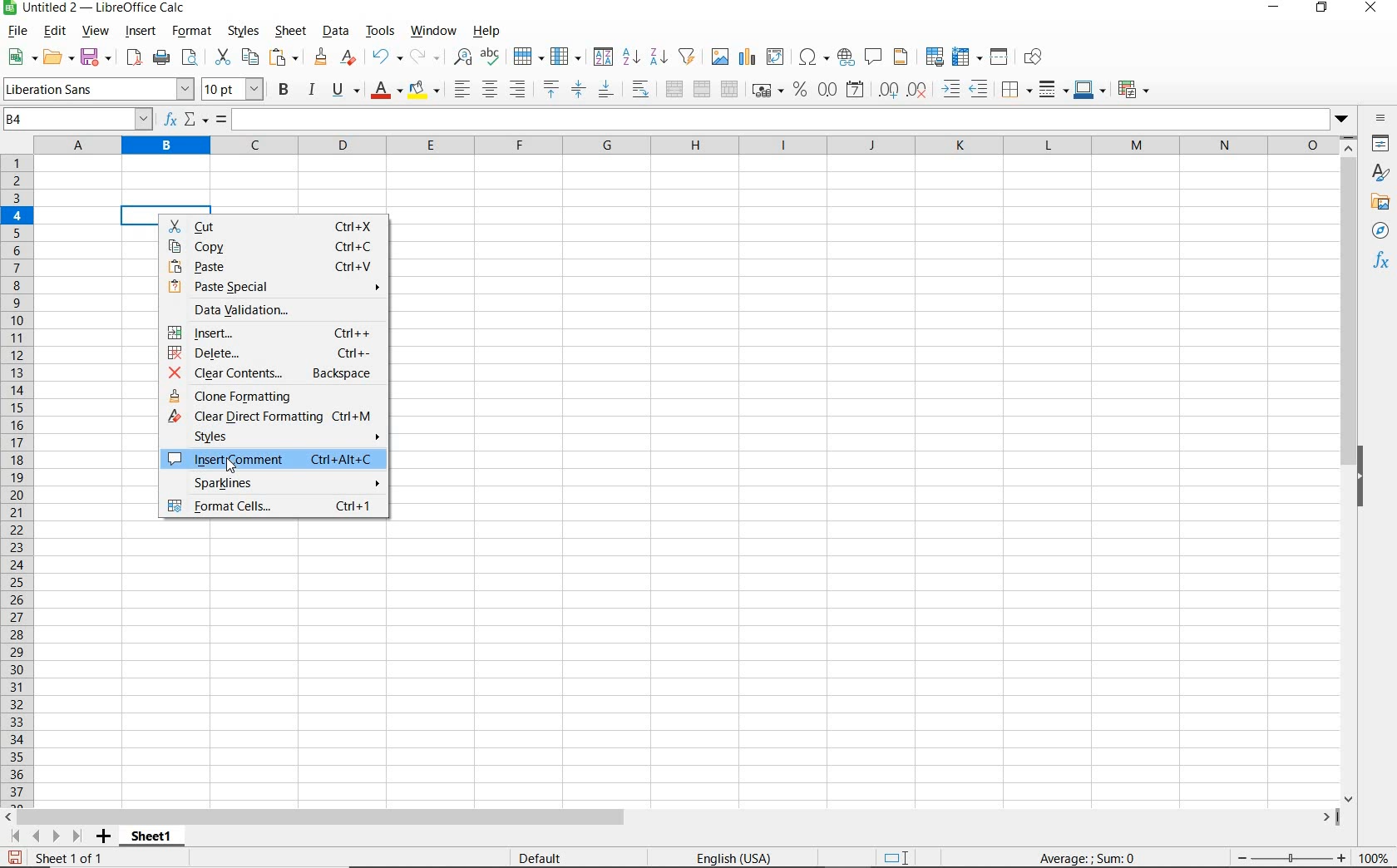 This screenshot has height=868, width=1397. I want to click on edit, so click(55, 31).